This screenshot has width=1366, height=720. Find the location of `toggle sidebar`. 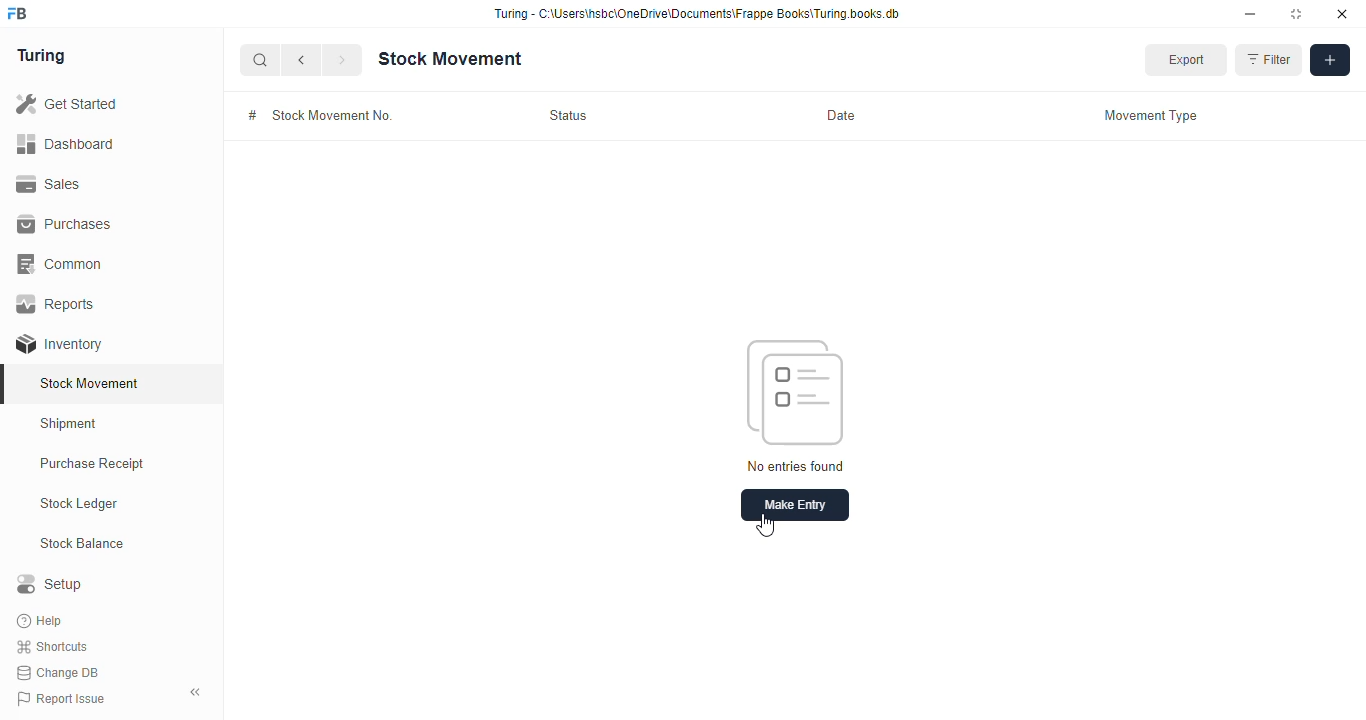

toggle sidebar is located at coordinates (196, 692).